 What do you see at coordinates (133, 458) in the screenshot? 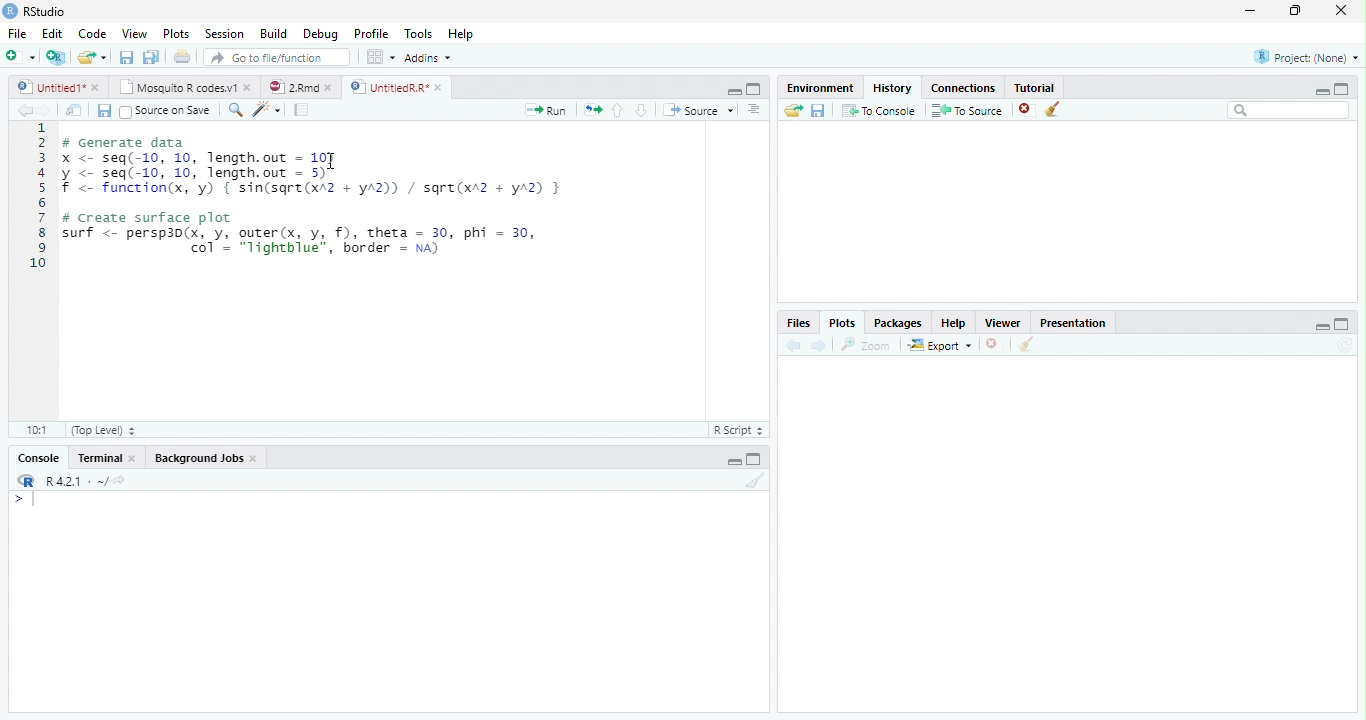
I see `Close` at bounding box center [133, 458].